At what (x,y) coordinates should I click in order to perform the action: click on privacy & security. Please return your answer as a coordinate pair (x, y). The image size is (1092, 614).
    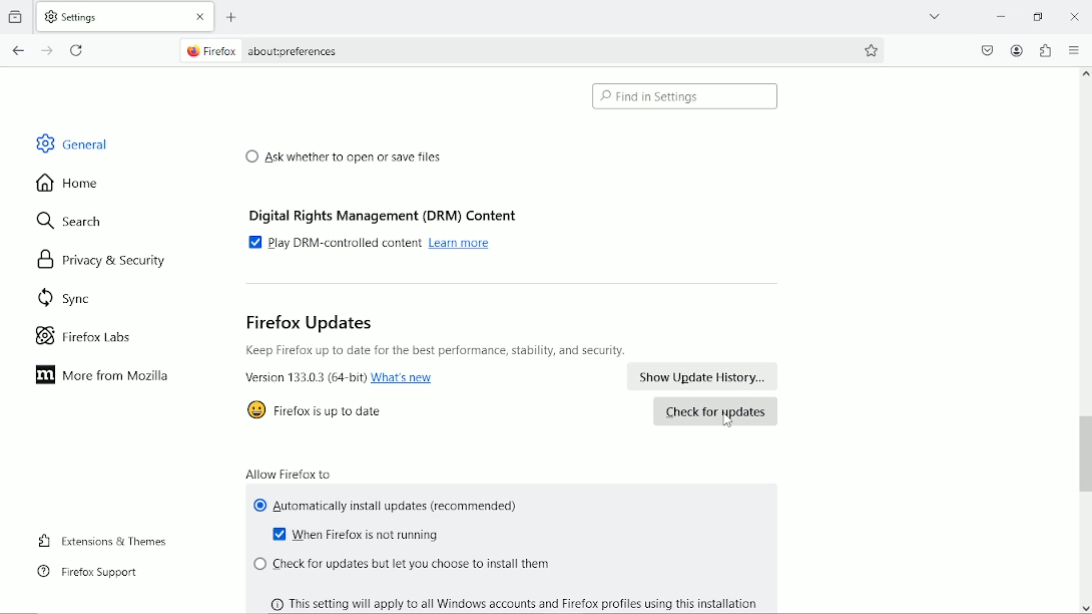
    Looking at the image, I should click on (97, 261).